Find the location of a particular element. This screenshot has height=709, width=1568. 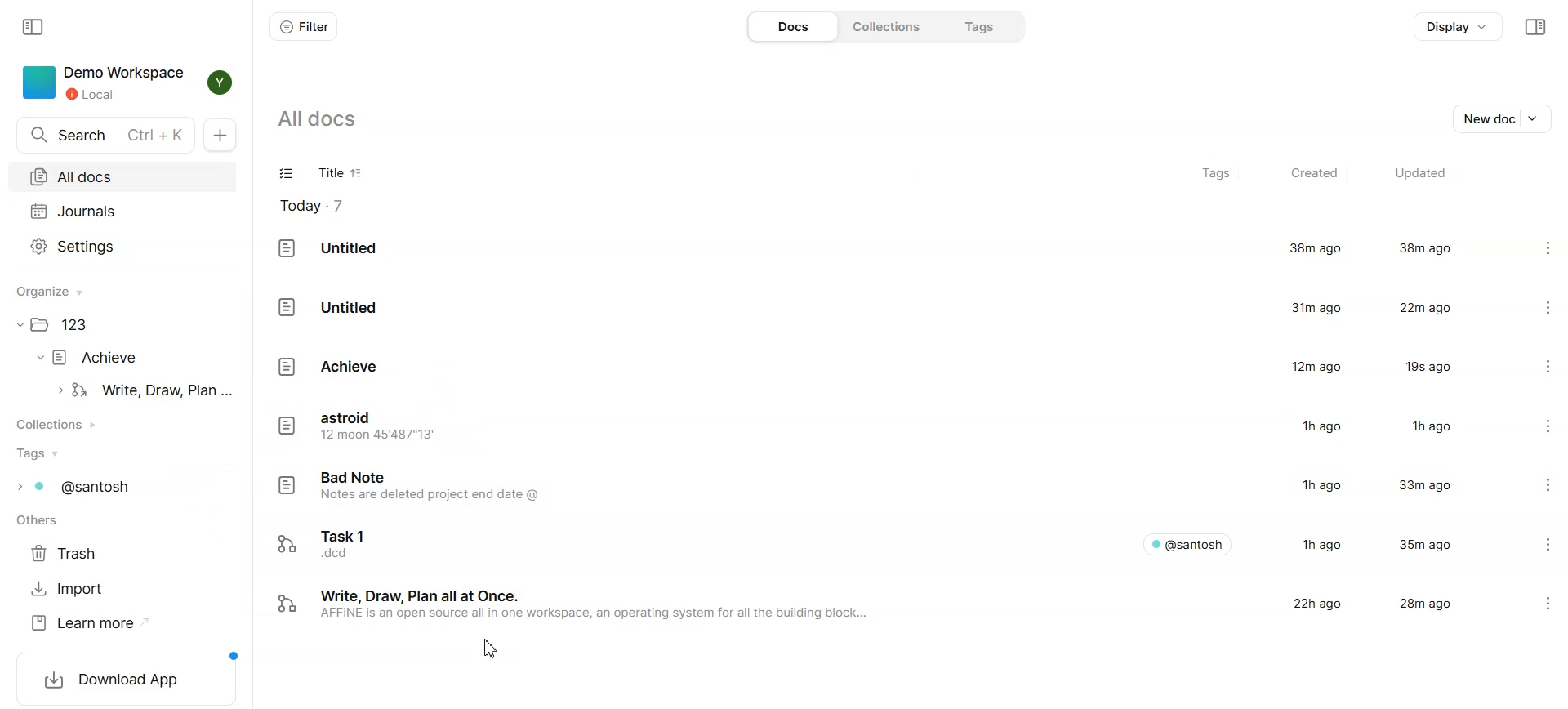

Settings is located at coordinates (1537, 488).